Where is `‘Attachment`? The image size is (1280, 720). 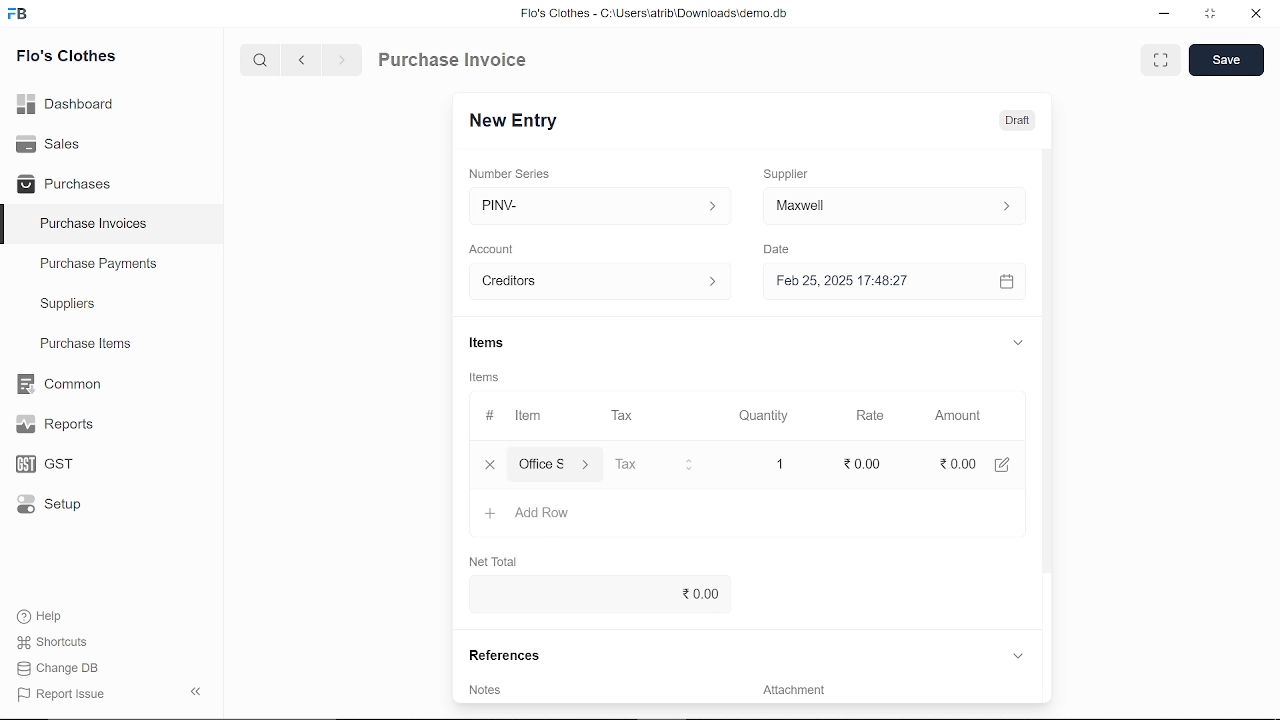
‘Attachment is located at coordinates (792, 693).